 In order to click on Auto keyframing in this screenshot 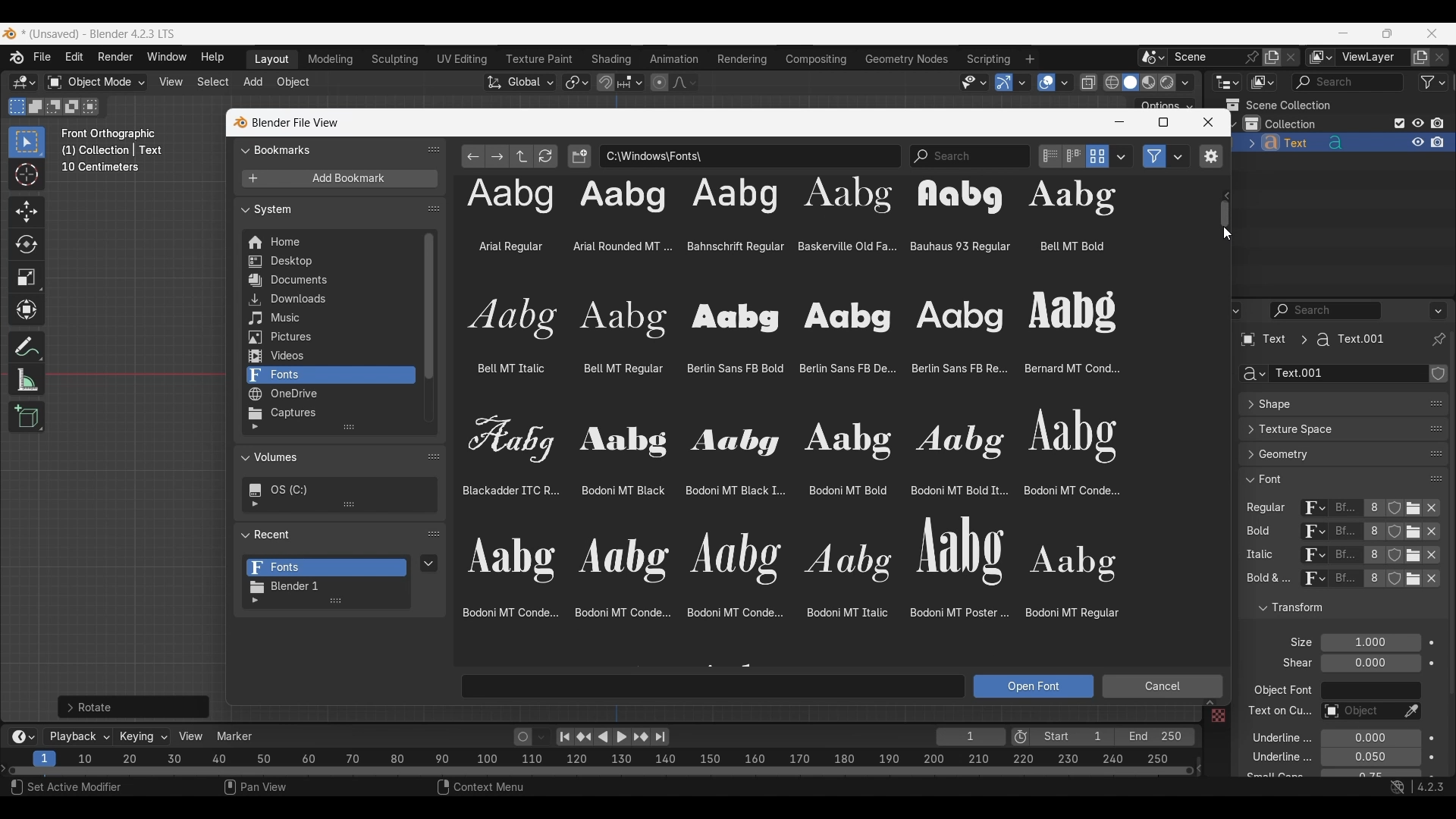, I will do `click(541, 737)`.